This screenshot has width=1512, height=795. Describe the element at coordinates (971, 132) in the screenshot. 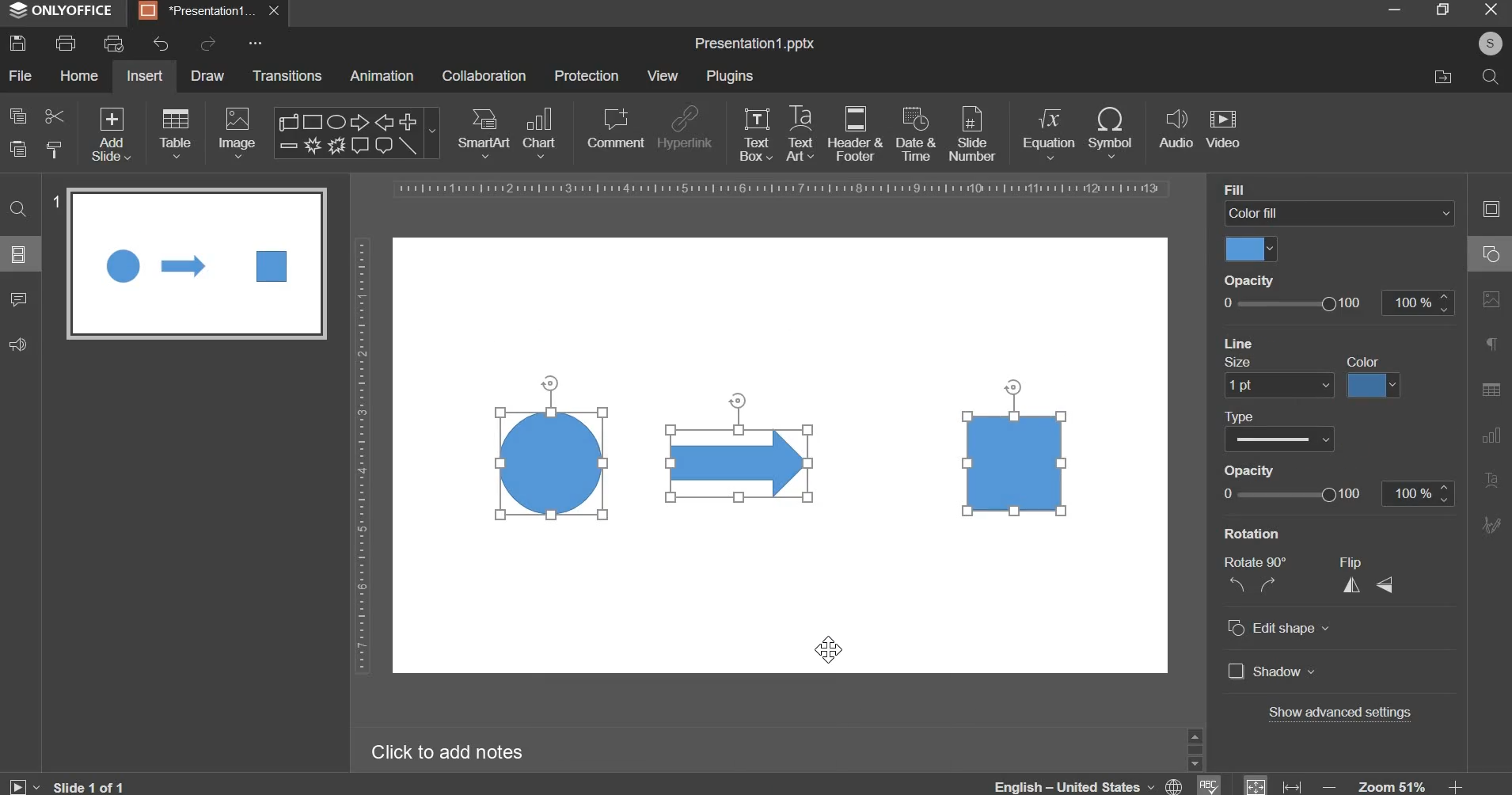

I see `slide number` at that location.